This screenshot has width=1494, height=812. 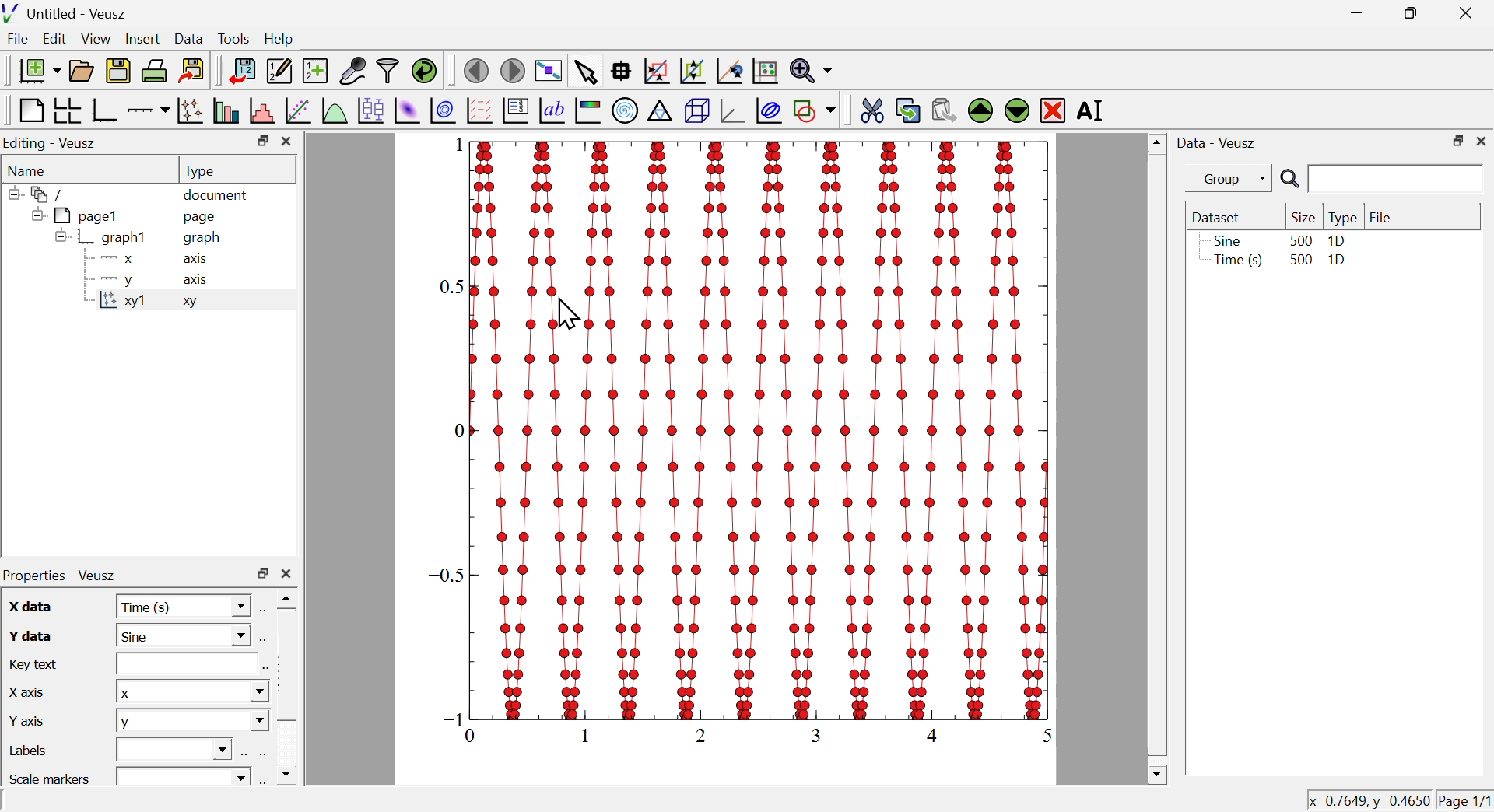 What do you see at coordinates (141, 37) in the screenshot?
I see `Insert` at bounding box center [141, 37].